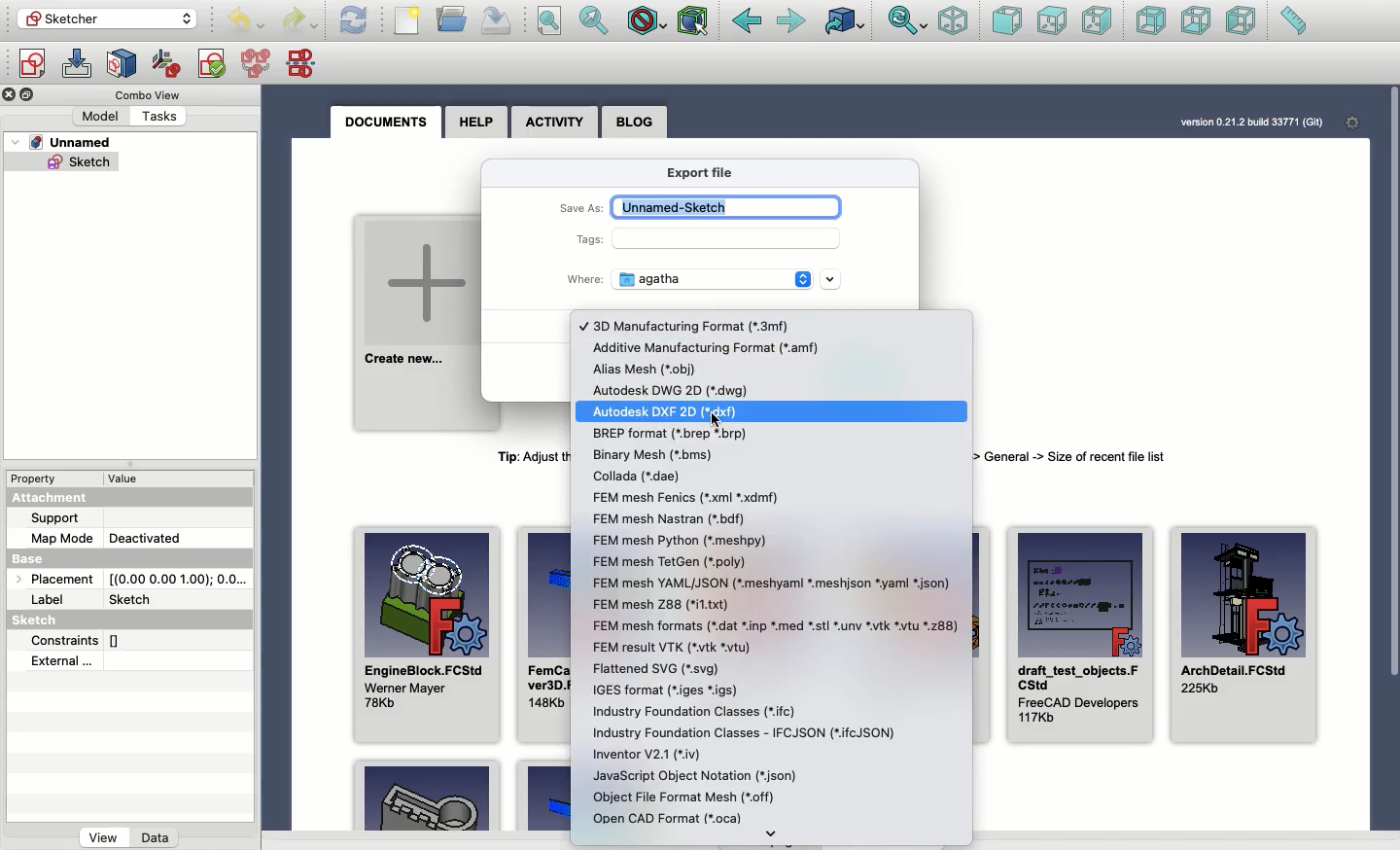 The height and width of the screenshot is (850, 1400). What do you see at coordinates (431, 797) in the screenshot?
I see `Example 1` at bounding box center [431, 797].